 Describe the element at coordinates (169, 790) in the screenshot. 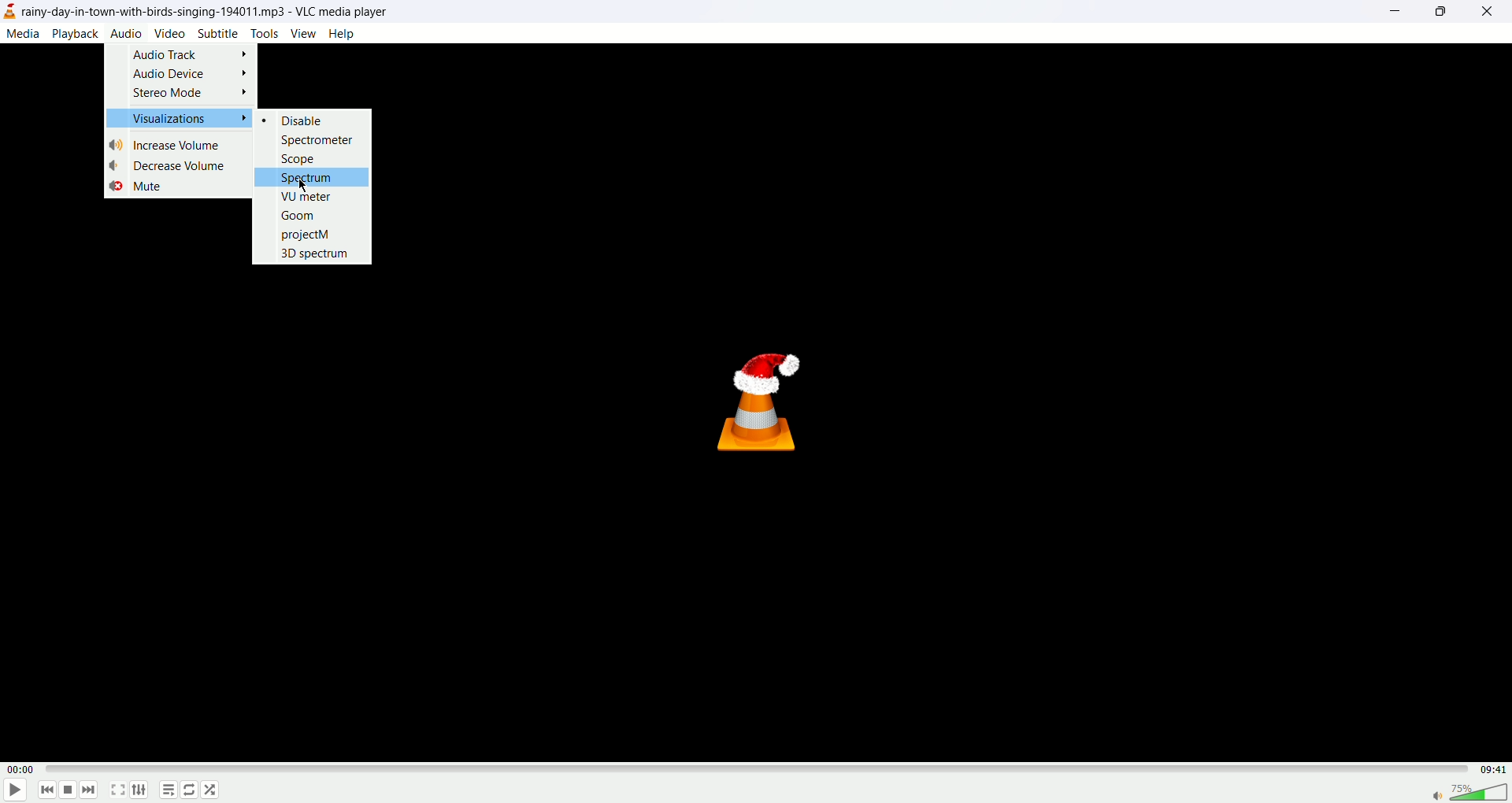

I see `playlist` at that location.